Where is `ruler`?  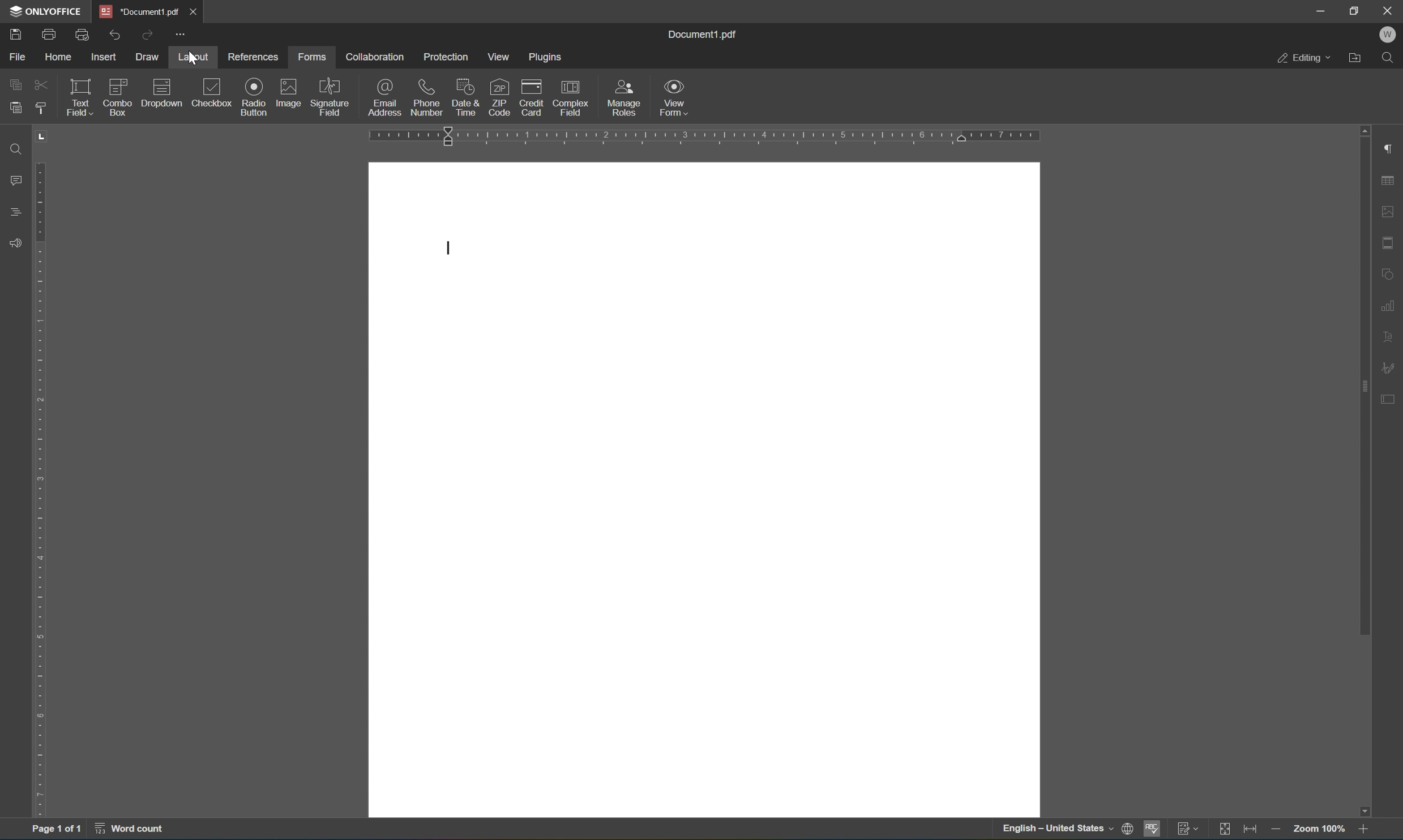
ruler is located at coordinates (707, 136).